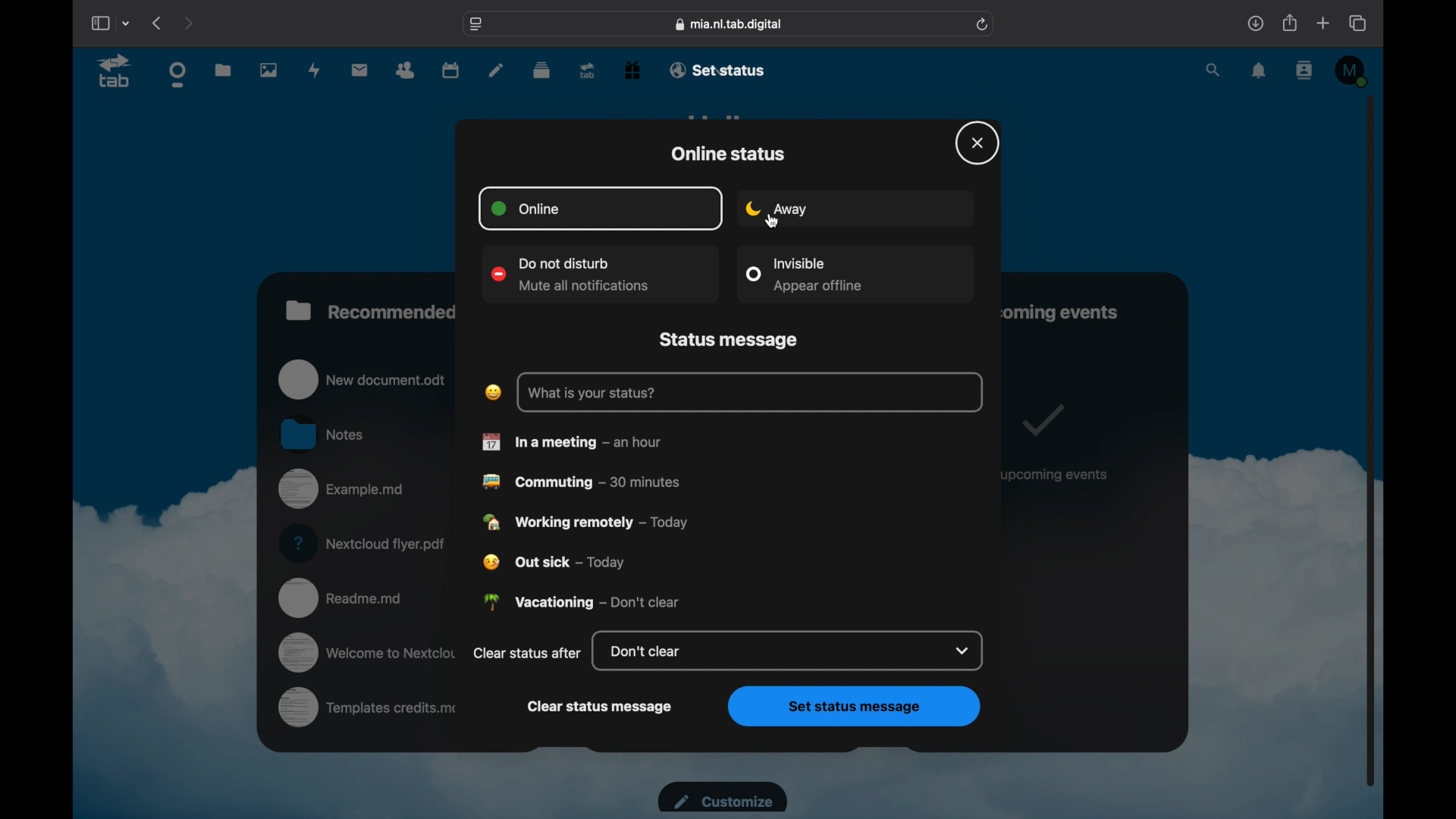  Describe the element at coordinates (792, 652) in the screenshot. I see `don't clear` at that location.